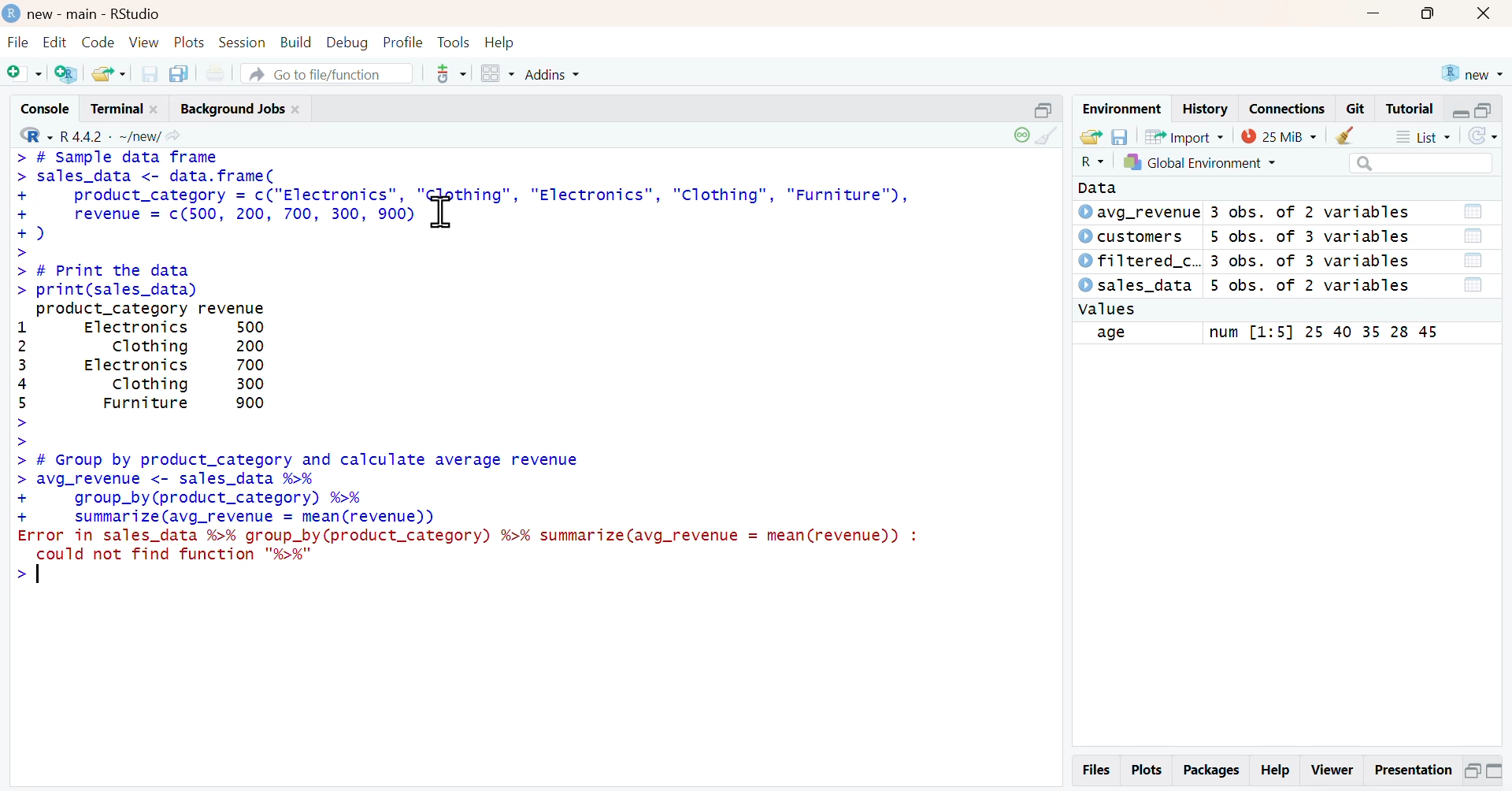 The image size is (1512, 791). Describe the element at coordinates (1472, 774) in the screenshot. I see `Minimize pane` at that location.